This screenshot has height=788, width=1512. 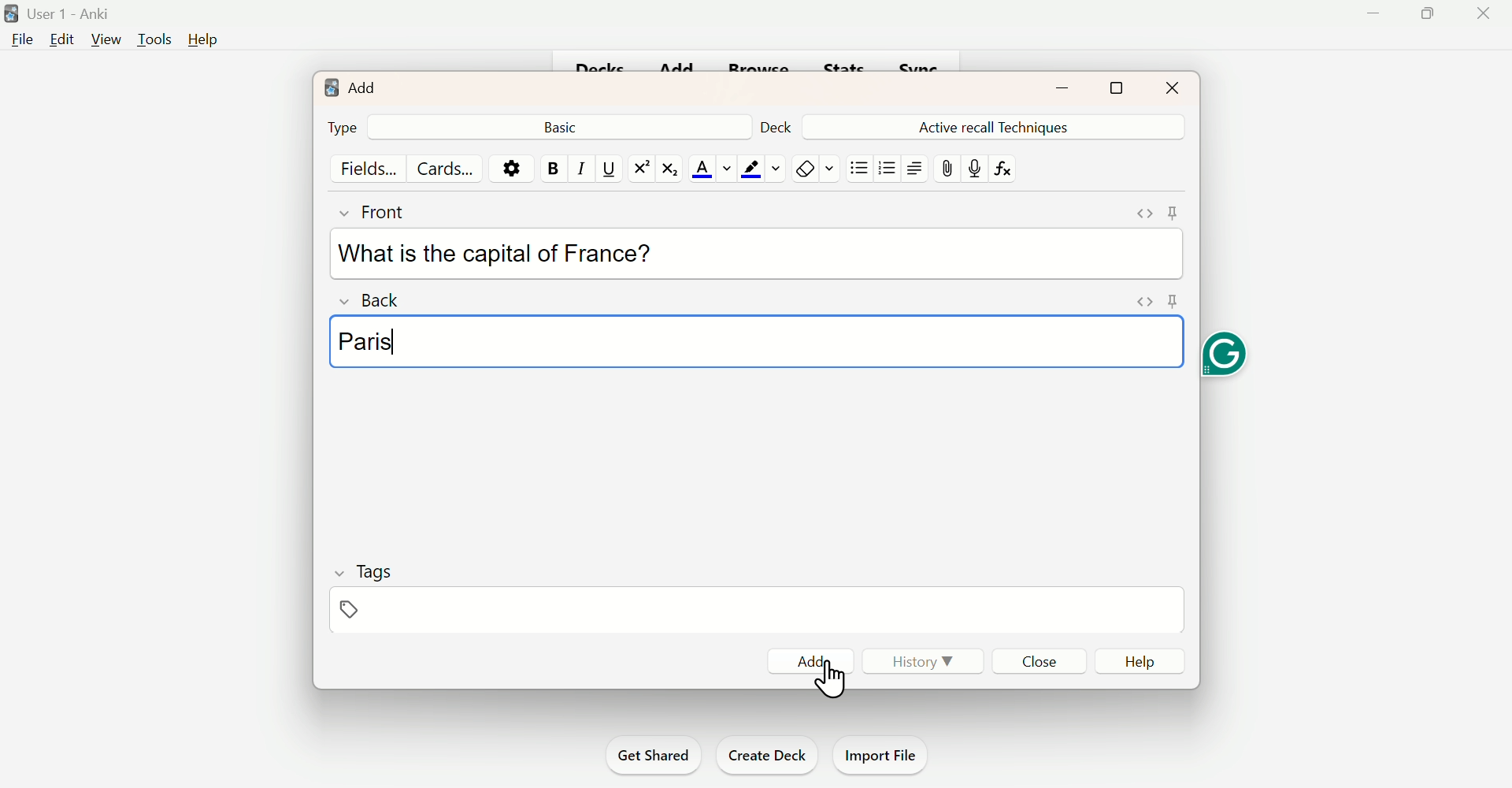 What do you see at coordinates (1228, 359) in the screenshot?
I see `Grammarly` at bounding box center [1228, 359].